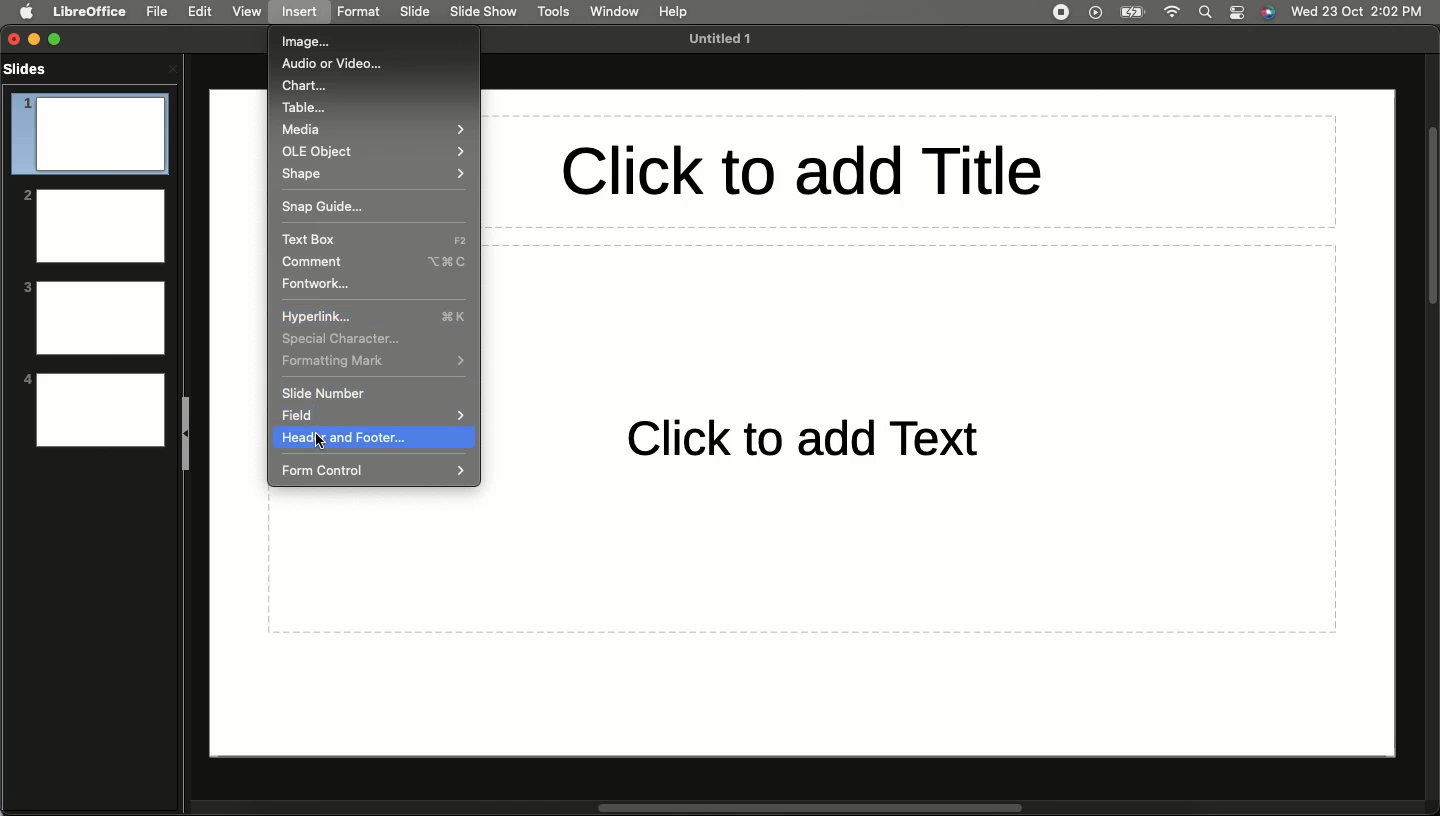 Image resolution: width=1440 pixels, height=816 pixels. What do you see at coordinates (310, 108) in the screenshot?
I see `Table` at bounding box center [310, 108].